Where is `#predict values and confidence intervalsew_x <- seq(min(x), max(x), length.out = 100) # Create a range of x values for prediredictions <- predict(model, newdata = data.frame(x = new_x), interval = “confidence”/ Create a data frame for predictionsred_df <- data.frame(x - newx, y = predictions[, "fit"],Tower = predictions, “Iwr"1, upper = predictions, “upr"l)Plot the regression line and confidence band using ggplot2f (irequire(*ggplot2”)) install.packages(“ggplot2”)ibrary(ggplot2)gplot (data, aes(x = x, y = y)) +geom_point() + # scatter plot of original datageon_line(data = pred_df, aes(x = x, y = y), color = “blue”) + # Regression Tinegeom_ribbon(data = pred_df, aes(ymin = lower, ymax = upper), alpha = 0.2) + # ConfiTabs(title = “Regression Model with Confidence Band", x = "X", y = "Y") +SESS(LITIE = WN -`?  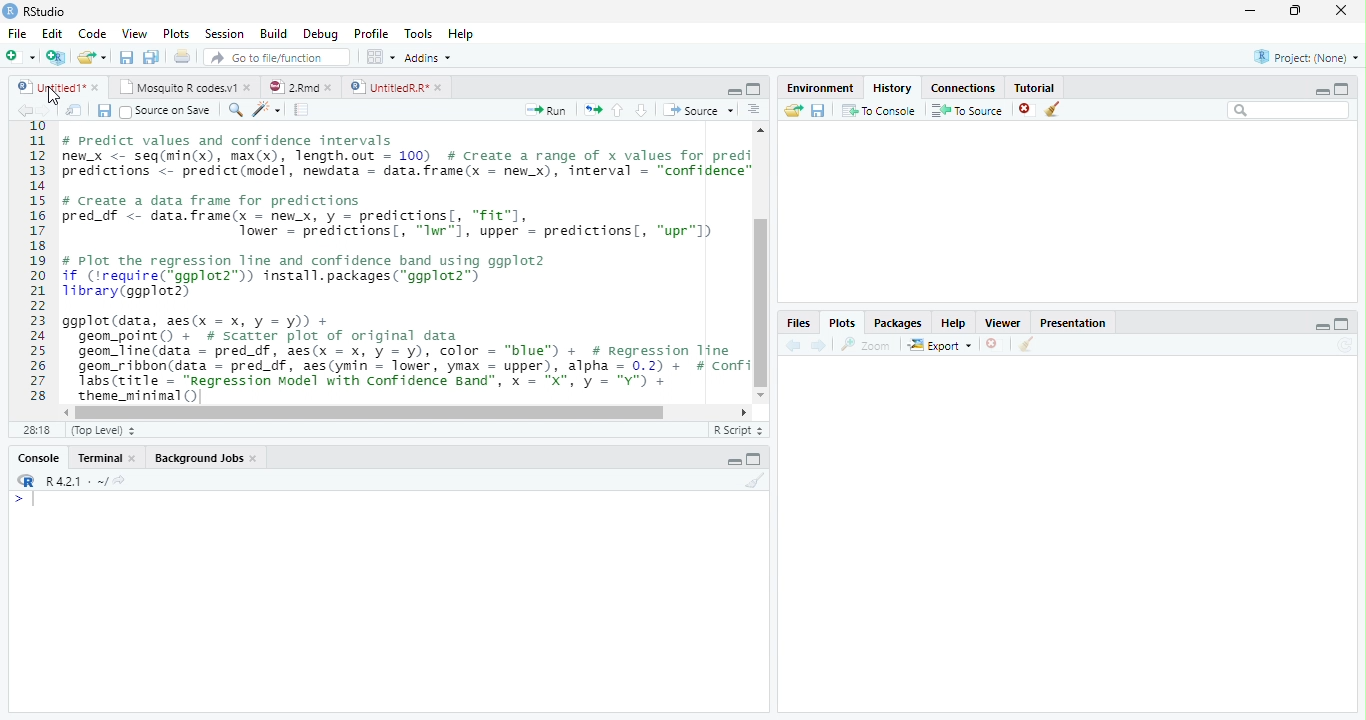
#predict values and confidence intervalsew_x <- seq(min(x), max(x), length.out = 100) # Create a range of x values for prediredictions <- predict(model, newdata = data.frame(x = new_x), interval = “confidence”/ Create a data frame for predictionsred_df <- data.frame(x - newx, y = predictions[, "fit"],Tower = predictions, “Iwr"1, upper = predictions, “upr"l)Plot the regression line and confidence band using ggplot2f (irequire(*ggplot2”)) install.packages(“ggplot2”)ibrary(ggplot2)gplot (data, aes(x = x, y = y)) +geom_point() + # scatter plot of original datageon_line(data = pred_df, aes(x = x, y = y), color = “blue”) + # Regression Tinegeom_ribbon(data = pred_df, aes(ymin = lower, ymax = upper), alpha = 0.2) + # ConfiTabs(title = “Regression Model with Confidence Band", x = "X", y = "Y") +SESS(LITIE = WN - is located at coordinates (404, 267).